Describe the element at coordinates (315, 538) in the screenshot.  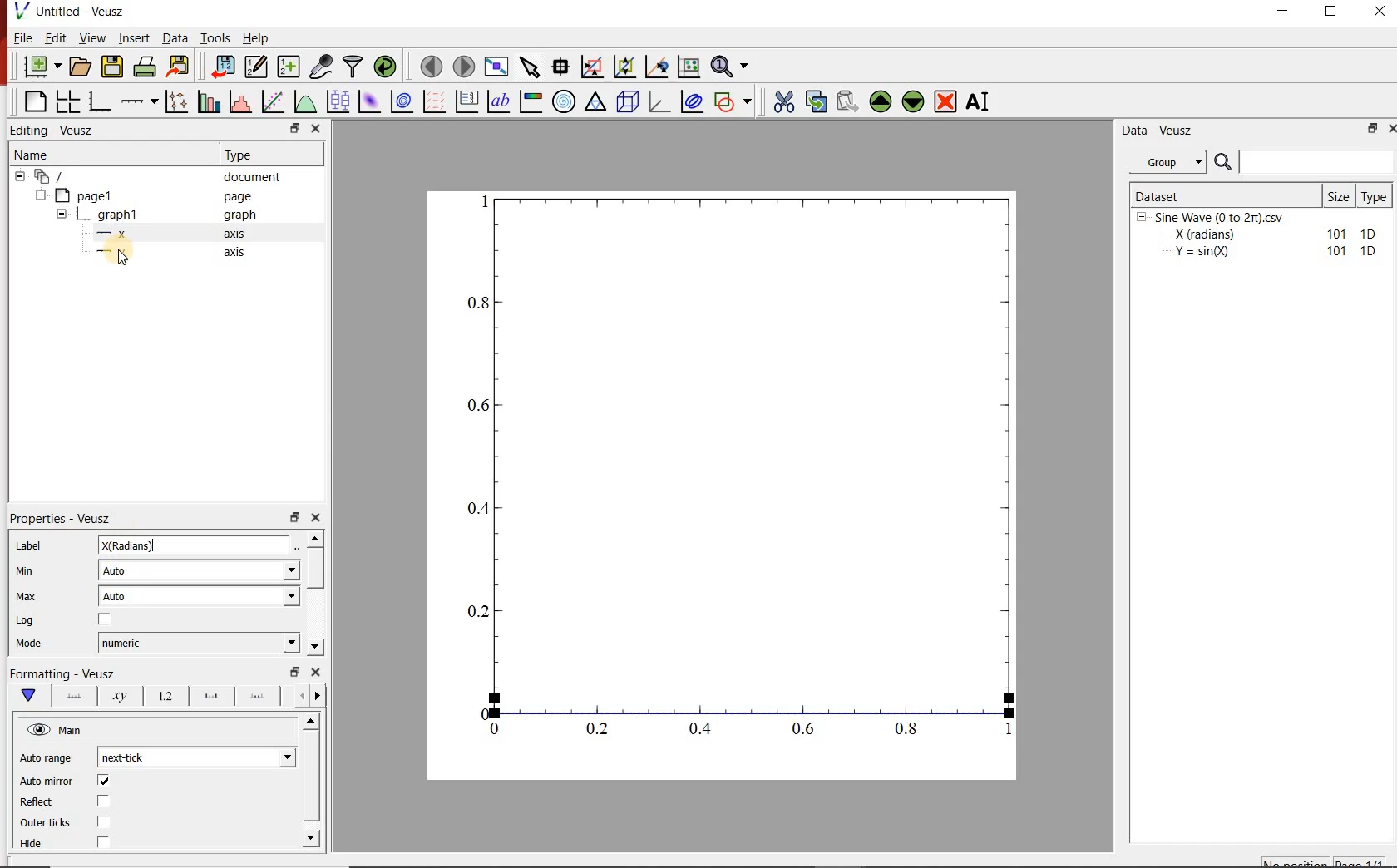
I see `Up` at that location.